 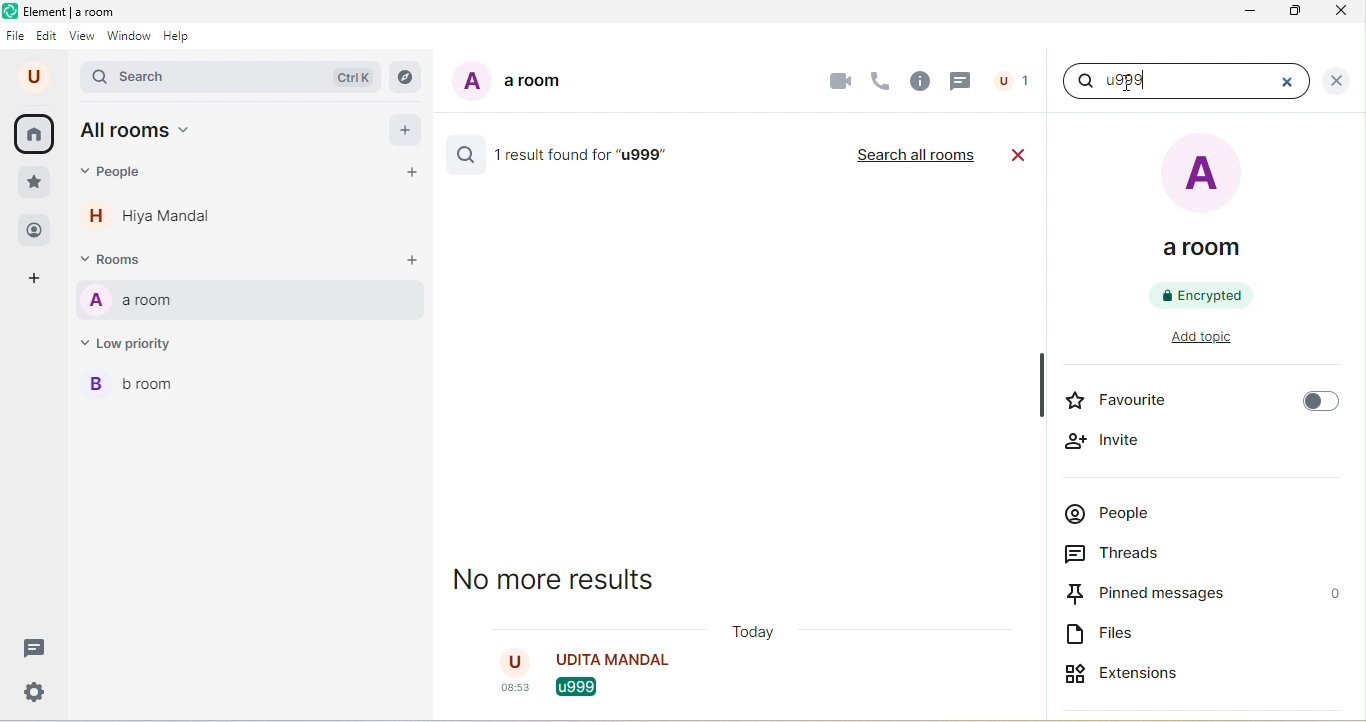 I want to click on favourites, so click(x=34, y=183).